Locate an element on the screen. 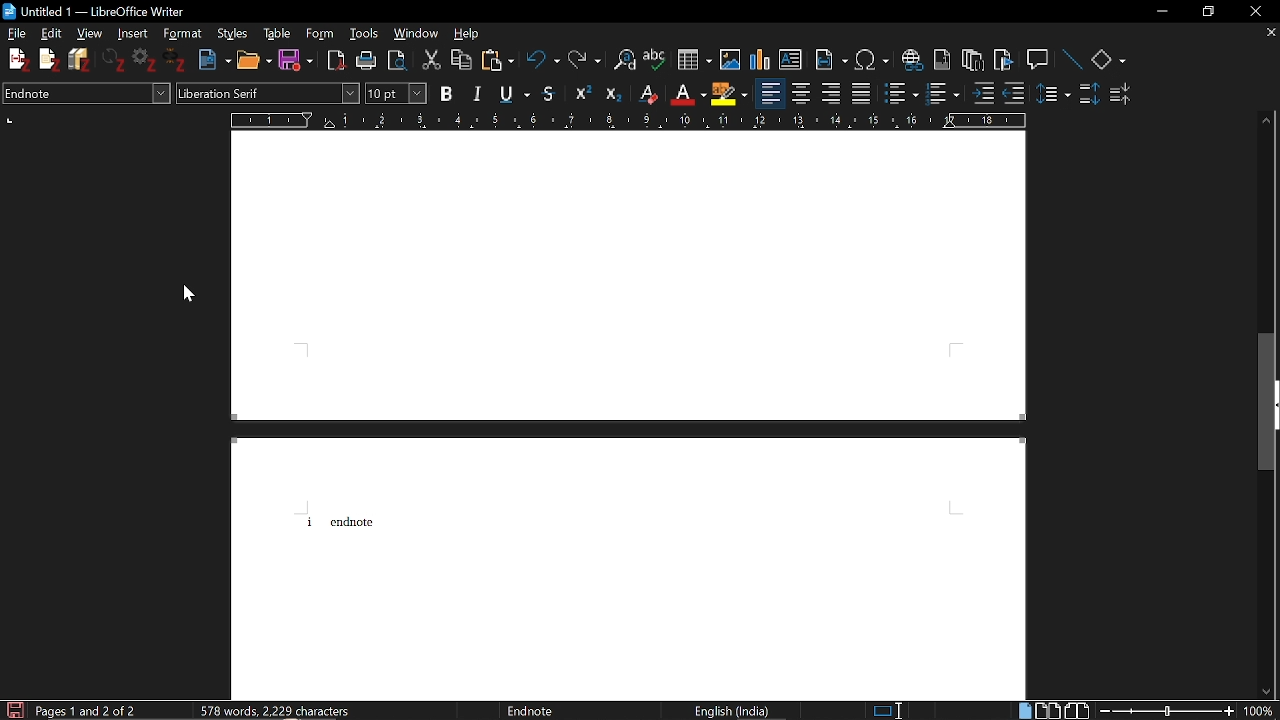  Close current tab is located at coordinates (1269, 34).